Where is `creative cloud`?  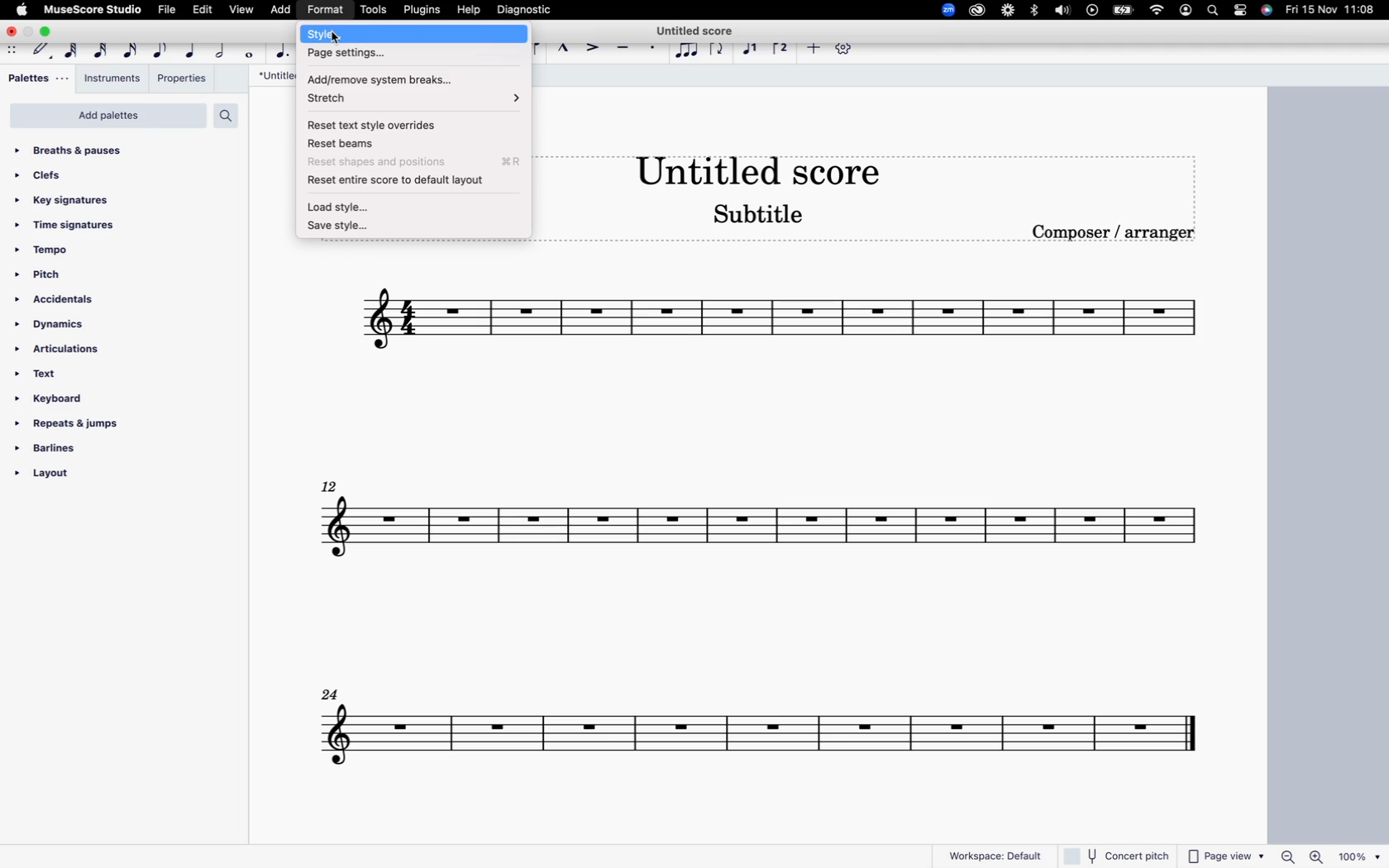 creative cloud is located at coordinates (977, 12).